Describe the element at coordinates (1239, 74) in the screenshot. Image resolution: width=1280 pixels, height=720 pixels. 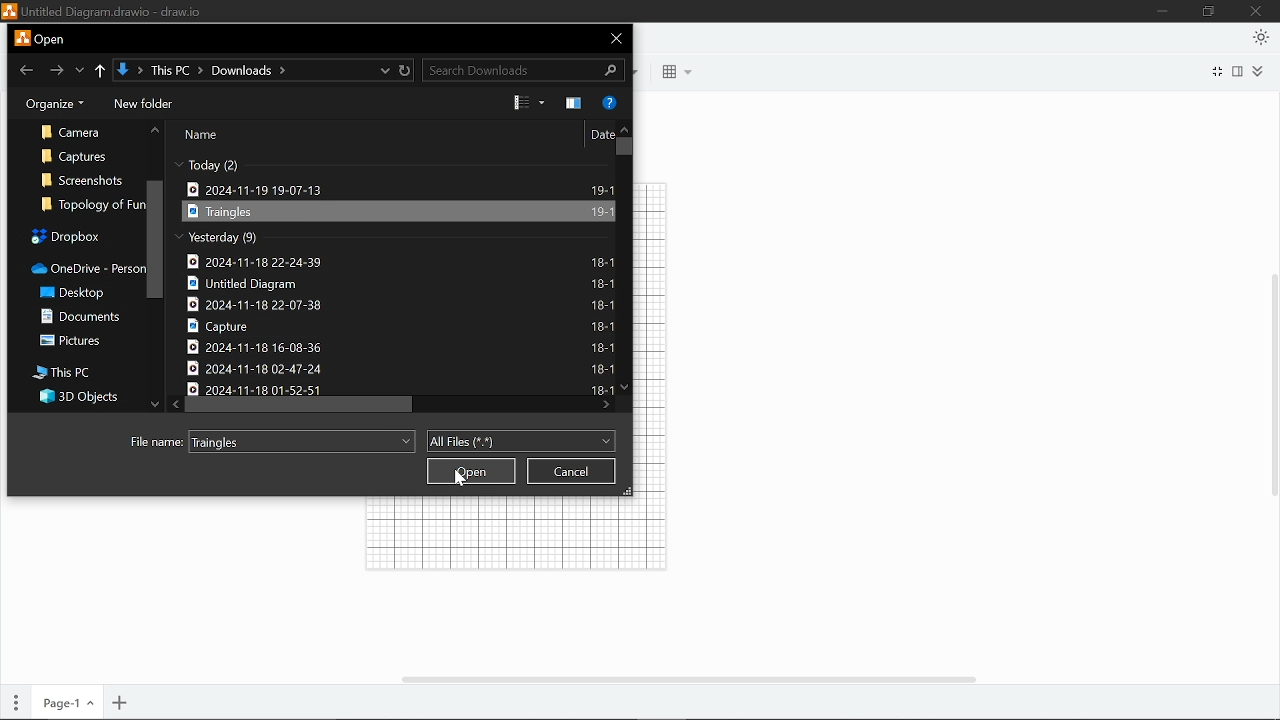
I see `format` at that location.